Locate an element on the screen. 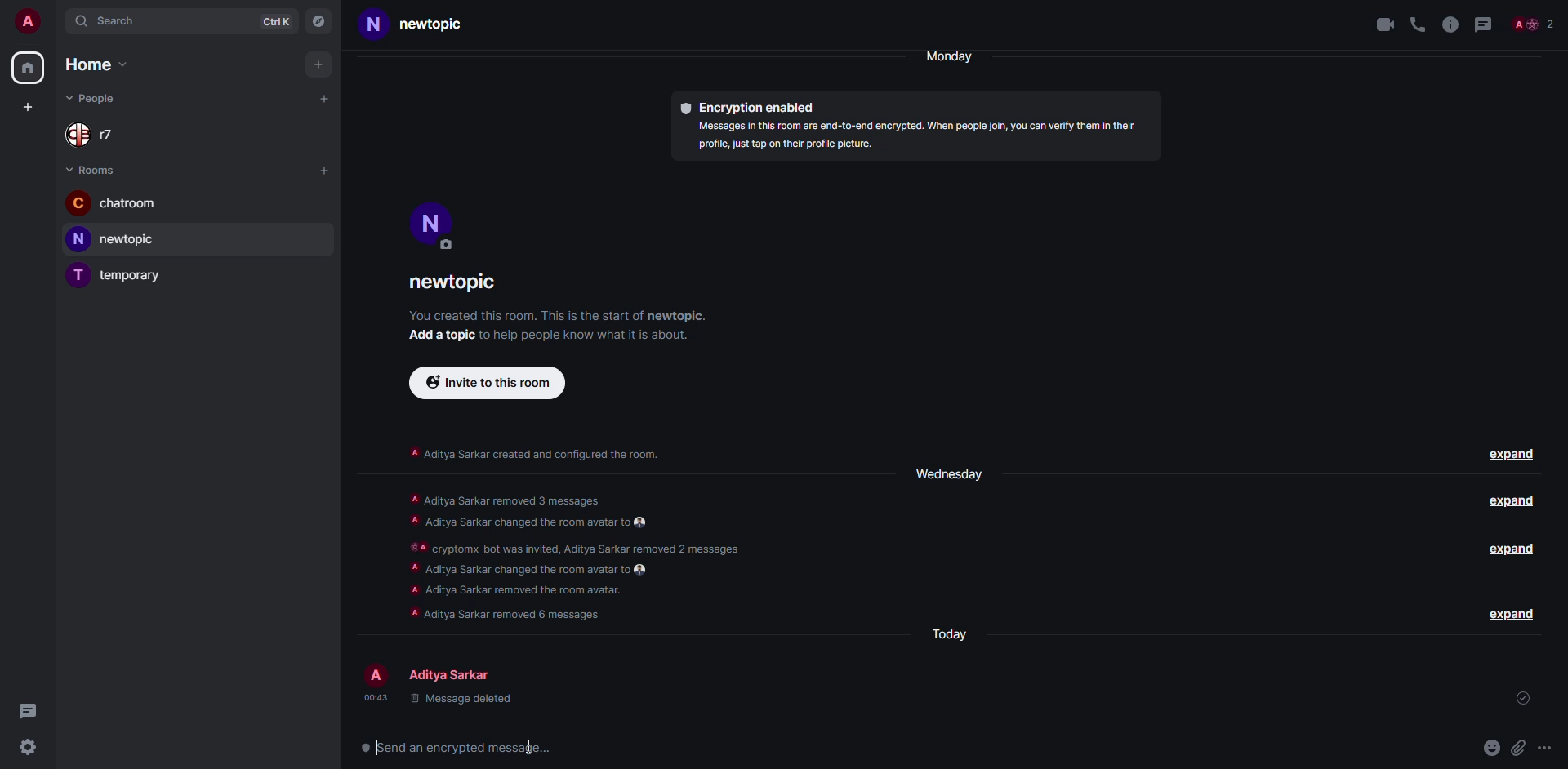 The width and height of the screenshot is (1568, 769). add is located at coordinates (438, 335).